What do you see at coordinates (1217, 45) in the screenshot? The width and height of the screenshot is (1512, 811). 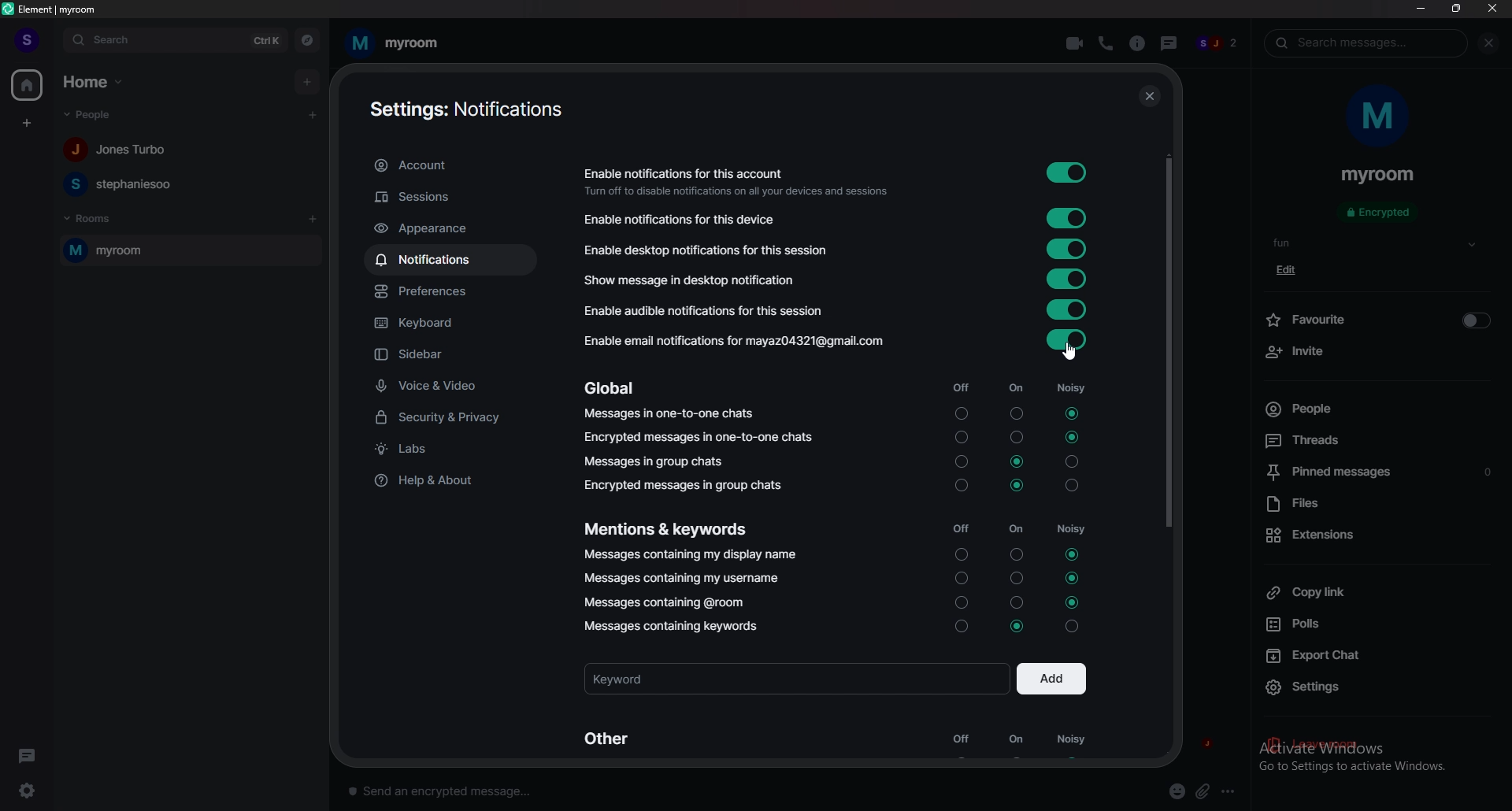 I see `people` at bounding box center [1217, 45].